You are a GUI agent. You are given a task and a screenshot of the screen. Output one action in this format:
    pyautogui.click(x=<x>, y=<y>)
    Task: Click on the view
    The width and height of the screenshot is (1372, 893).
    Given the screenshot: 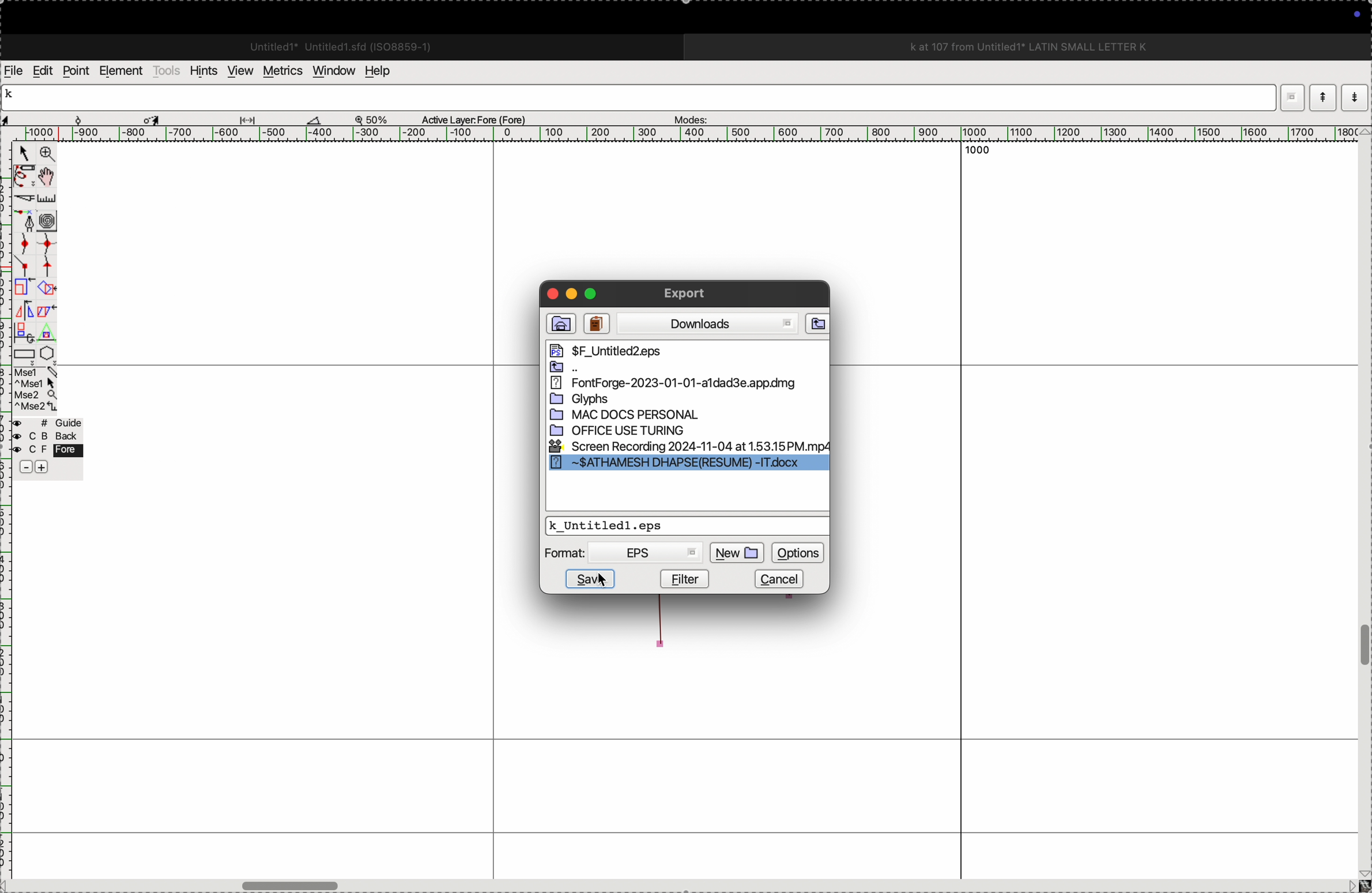 What is the action you would take?
    pyautogui.click(x=237, y=71)
    